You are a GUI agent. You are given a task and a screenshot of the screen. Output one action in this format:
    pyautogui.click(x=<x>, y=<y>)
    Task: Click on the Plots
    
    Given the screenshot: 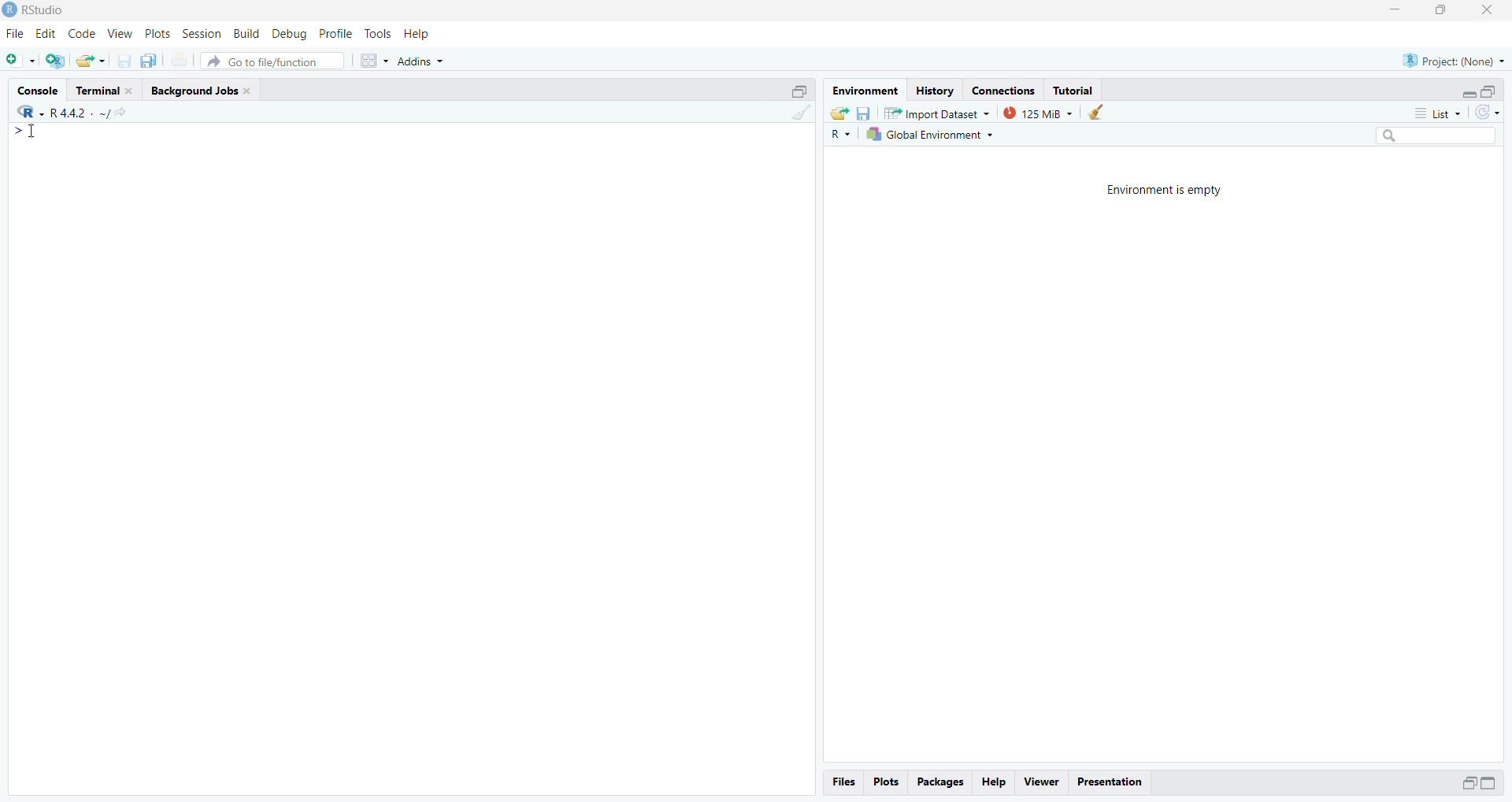 What is the action you would take?
    pyautogui.click(x=157, y=34)
    